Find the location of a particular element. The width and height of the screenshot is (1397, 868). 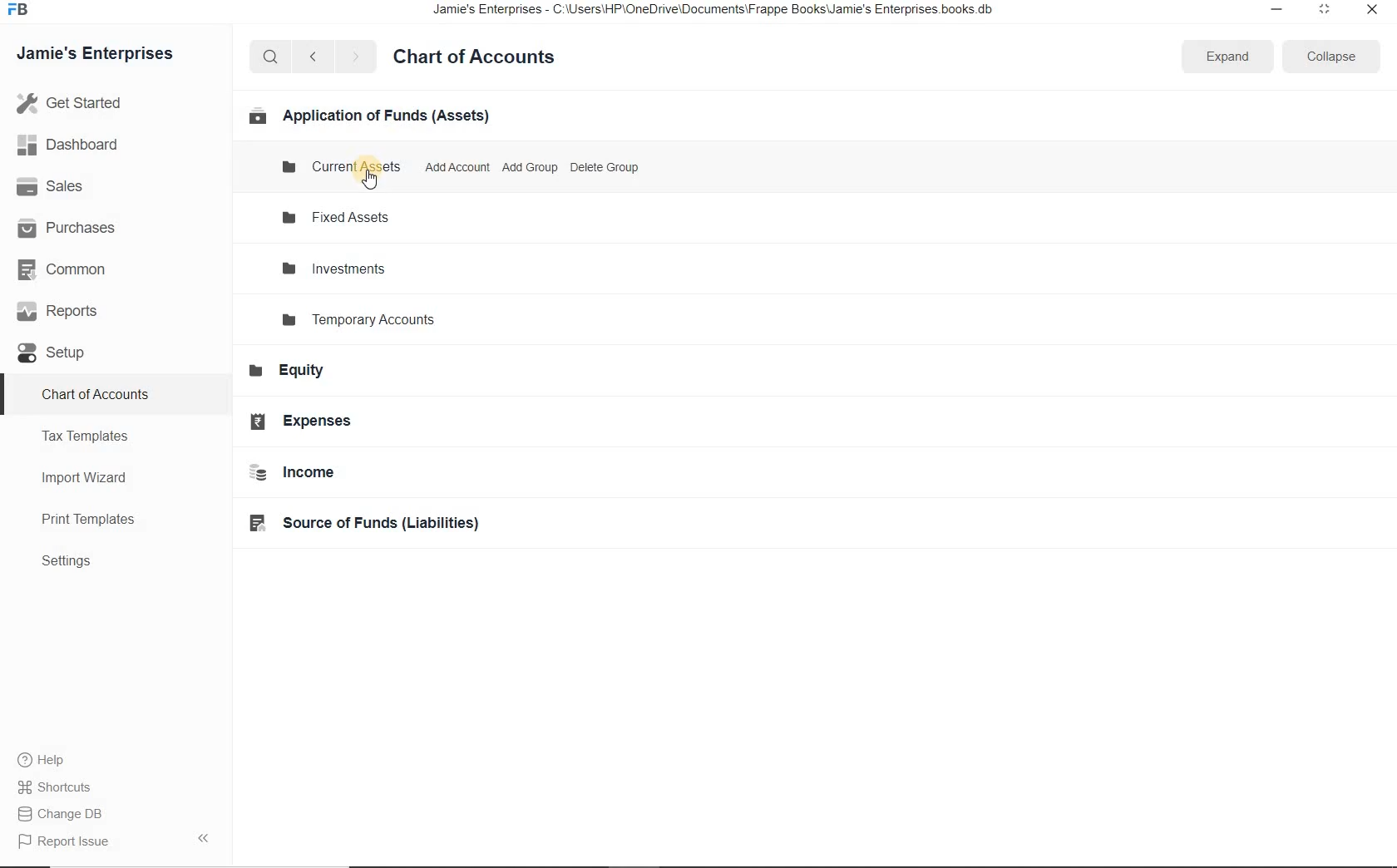

expand is located at coordinates (207, 837).